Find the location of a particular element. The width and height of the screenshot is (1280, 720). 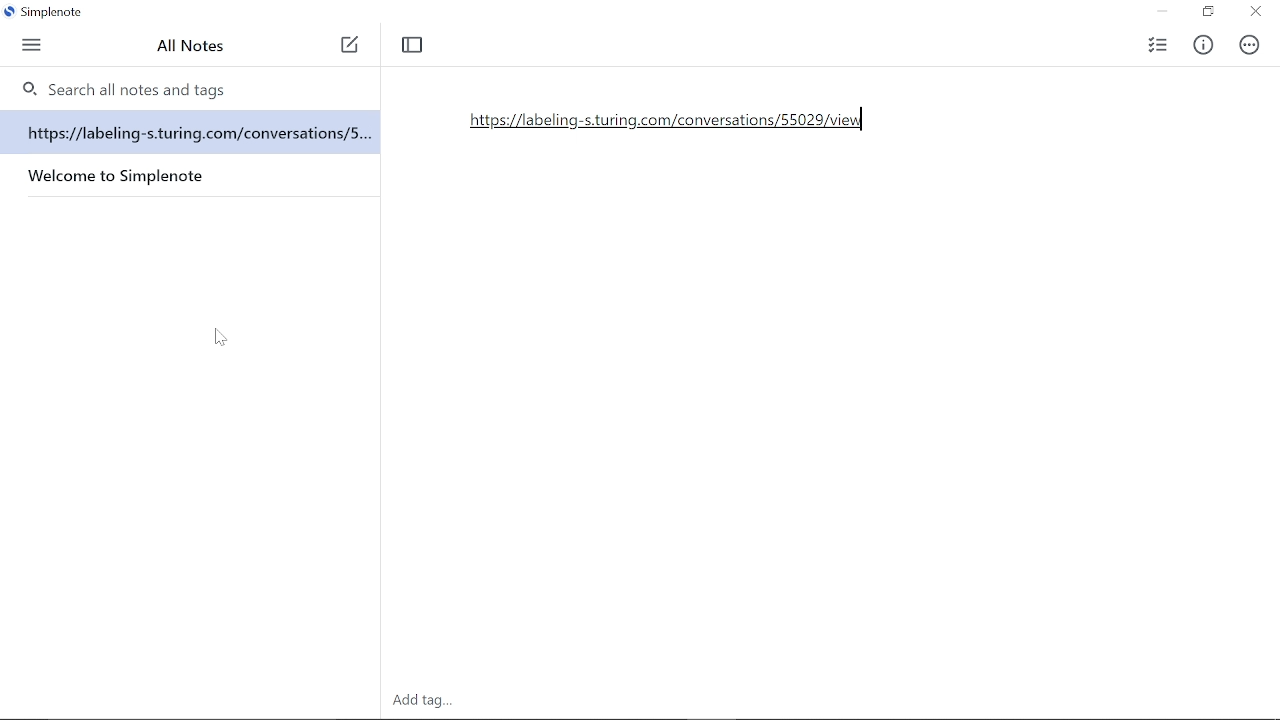

Add tag is located at coordinates (423, 703).